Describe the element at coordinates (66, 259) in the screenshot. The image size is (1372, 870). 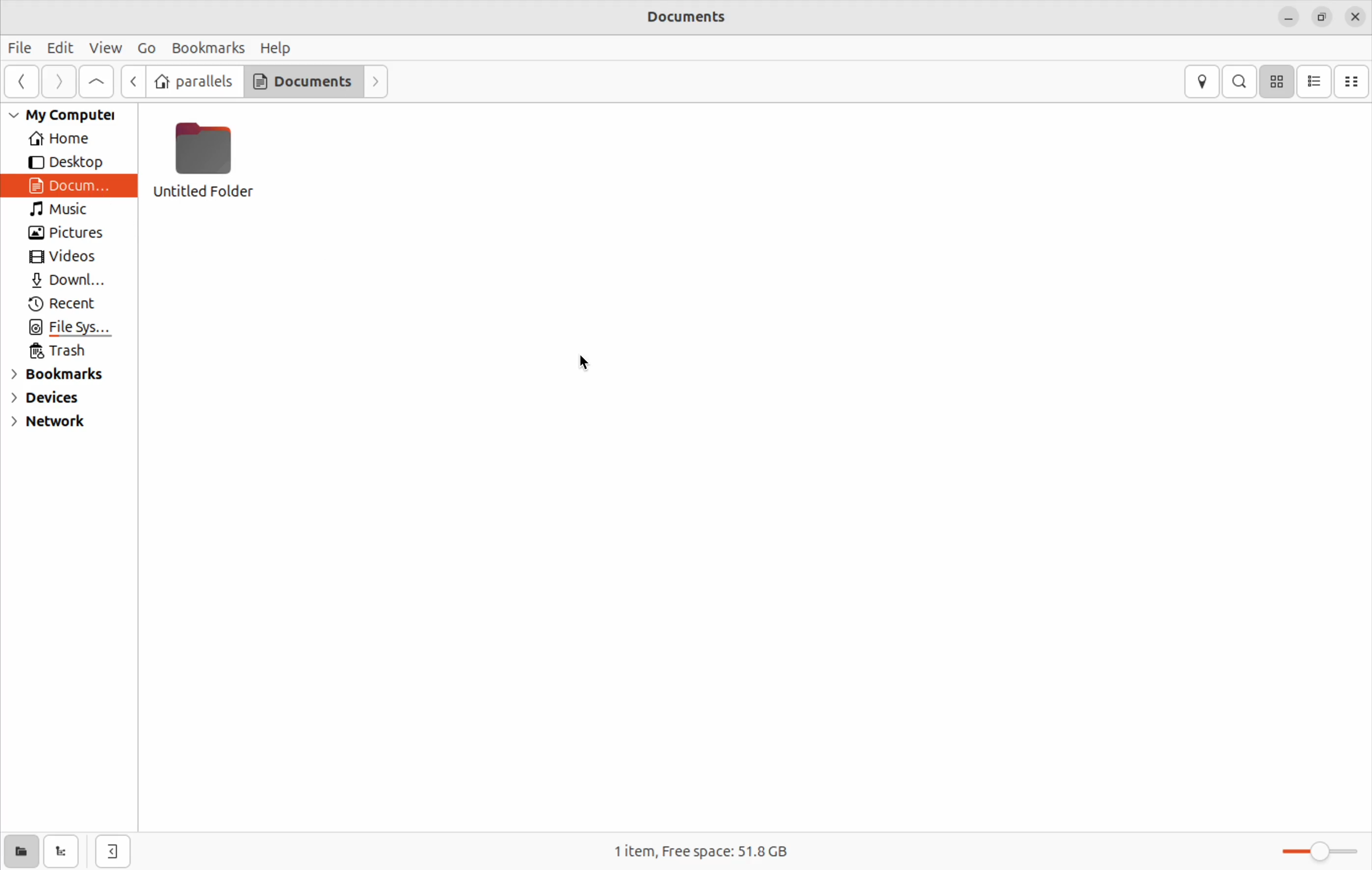
I see `Videos` at that location.